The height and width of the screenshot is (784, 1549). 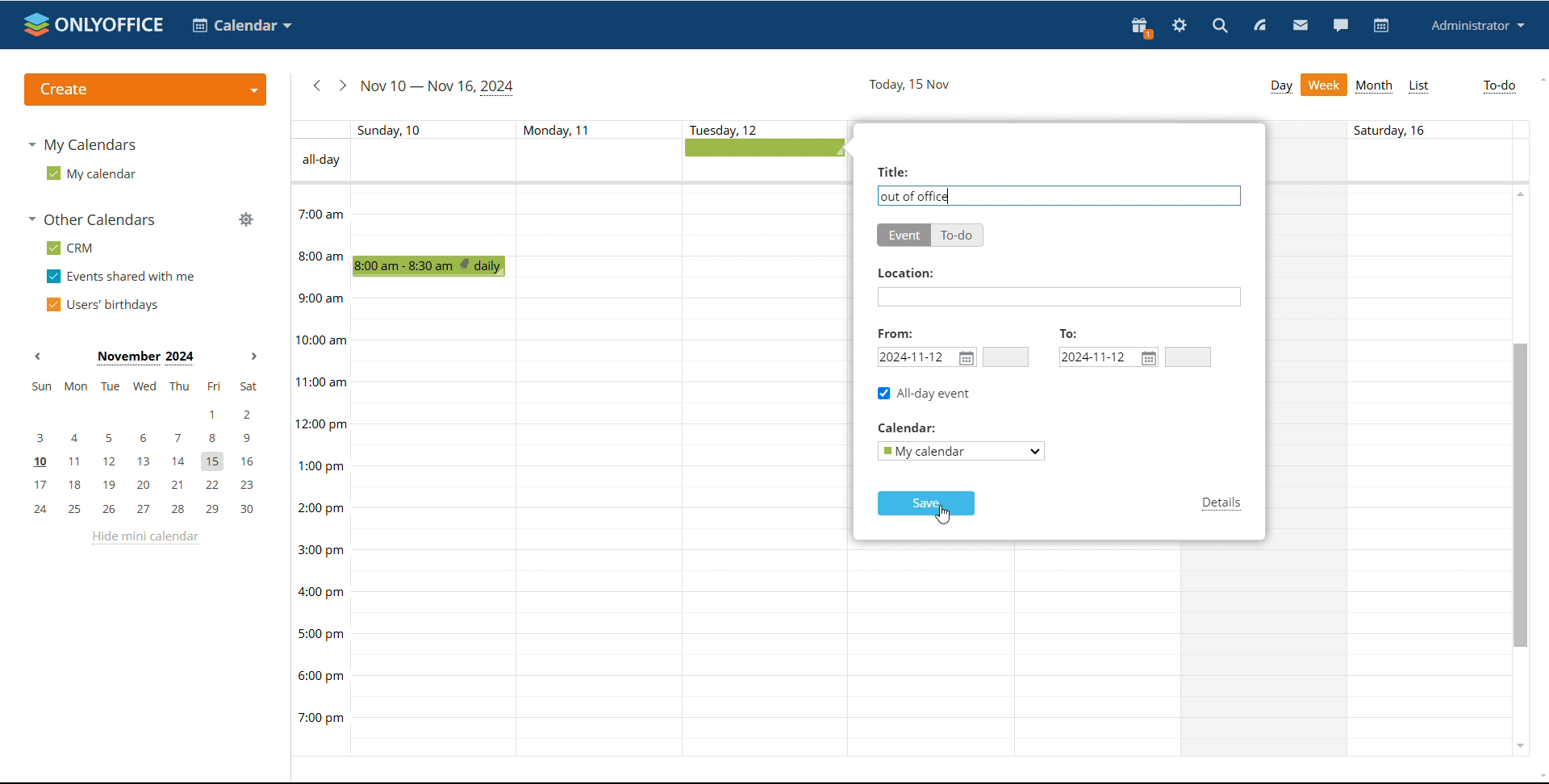 What do you see at coordinates (83, 145) in the screenshot?
I see `my calendars` at bounding box center [83, 145].